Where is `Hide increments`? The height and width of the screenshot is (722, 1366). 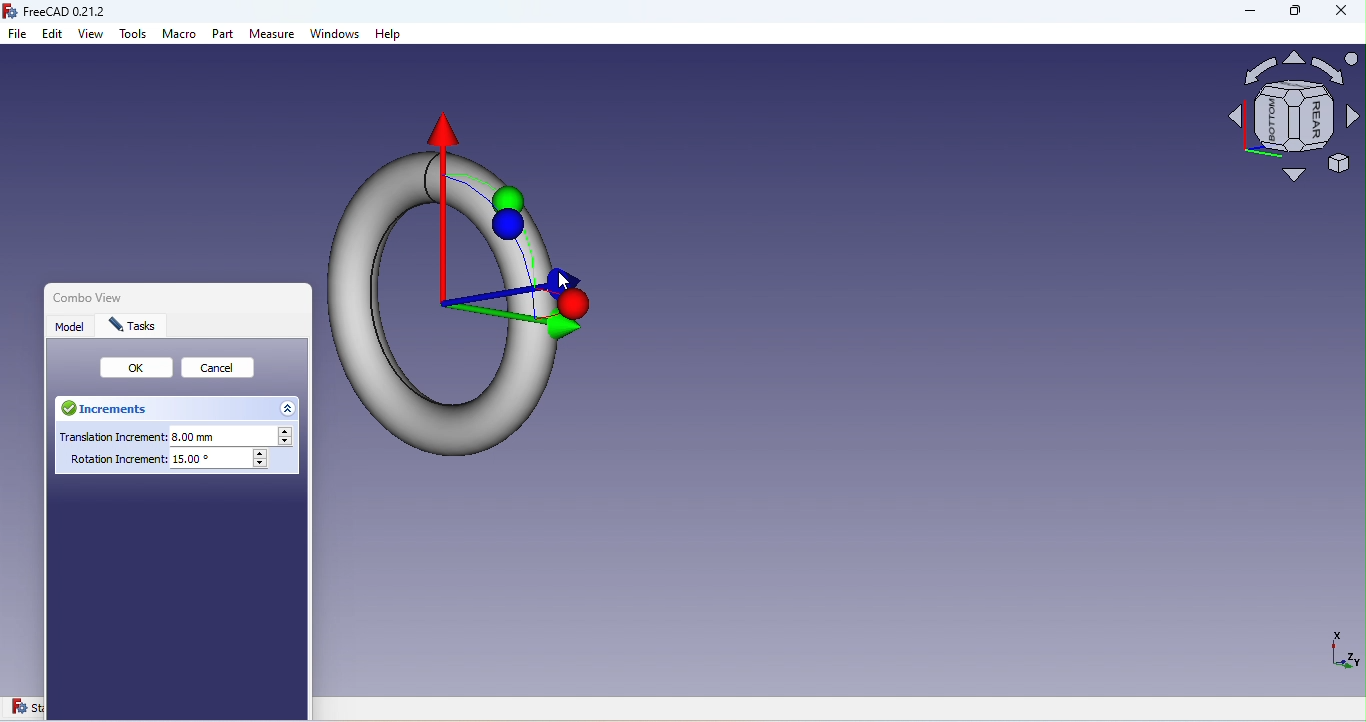 Hide increments is located at coordinates (289, 407).